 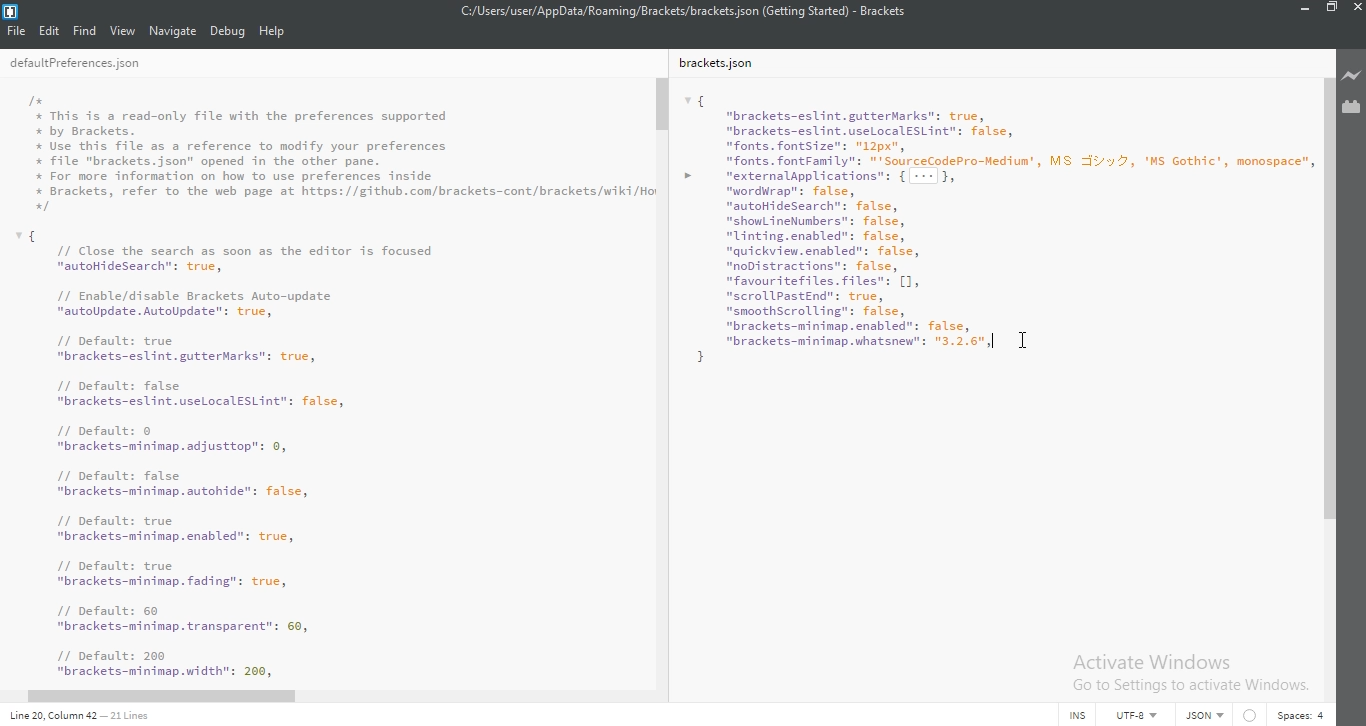 What do you see at coordinates (18, 30) in the screenshot?
I see `File` at bounding box center [18, 30].